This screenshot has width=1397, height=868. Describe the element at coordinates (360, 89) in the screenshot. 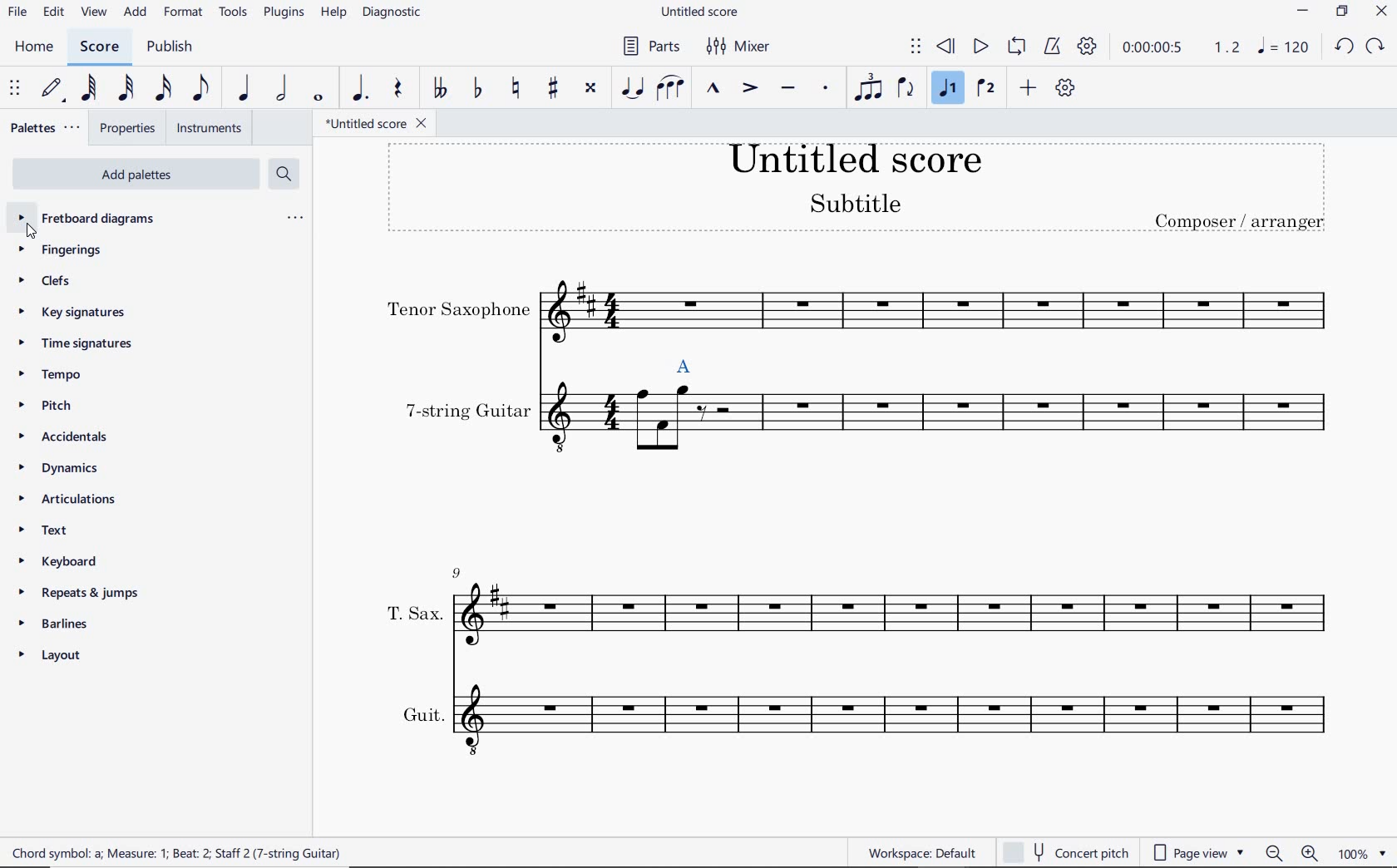

I see `AUGMENTATION DOT` at that location.